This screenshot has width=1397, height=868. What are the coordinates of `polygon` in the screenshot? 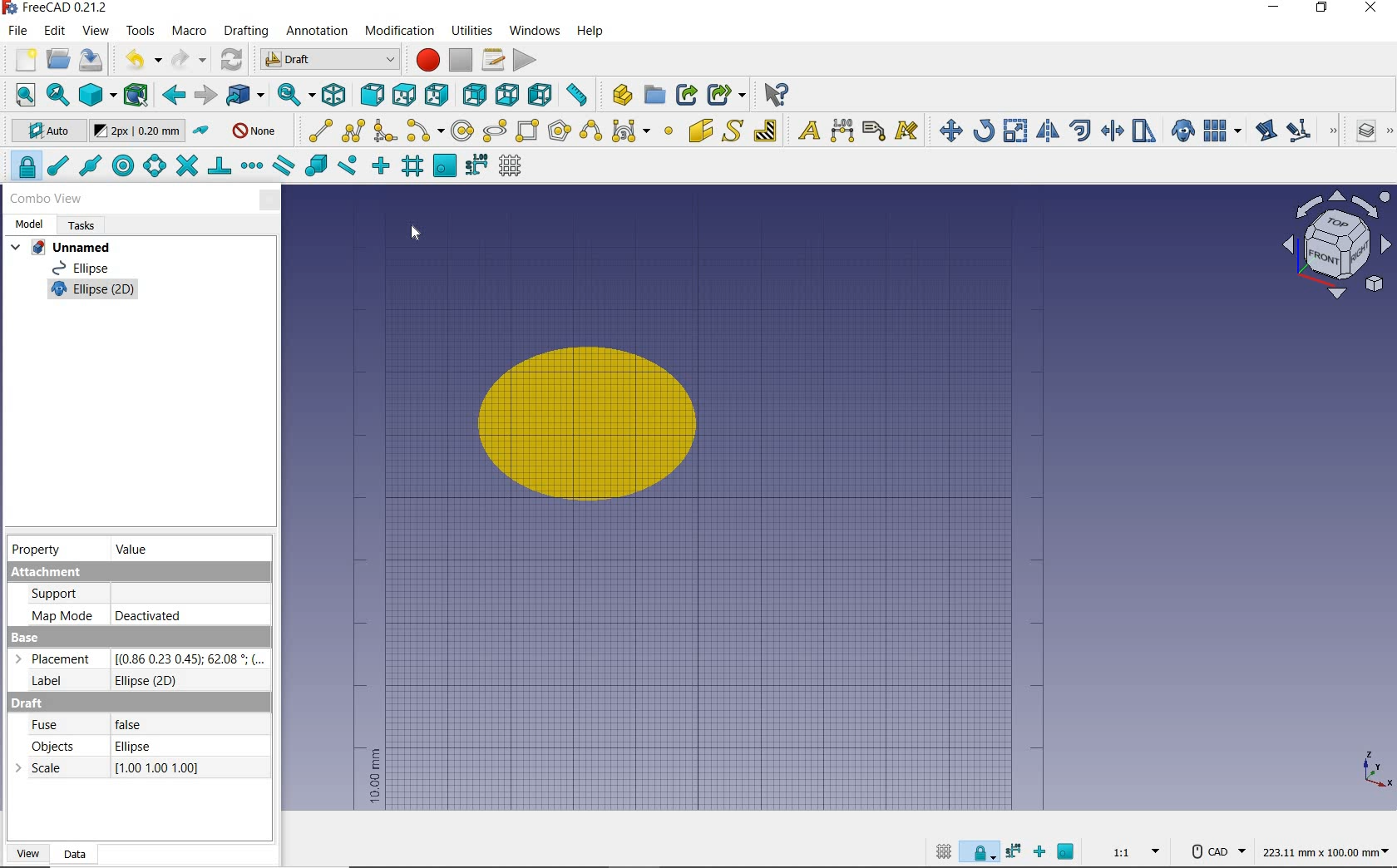 It's located at (560, 131).